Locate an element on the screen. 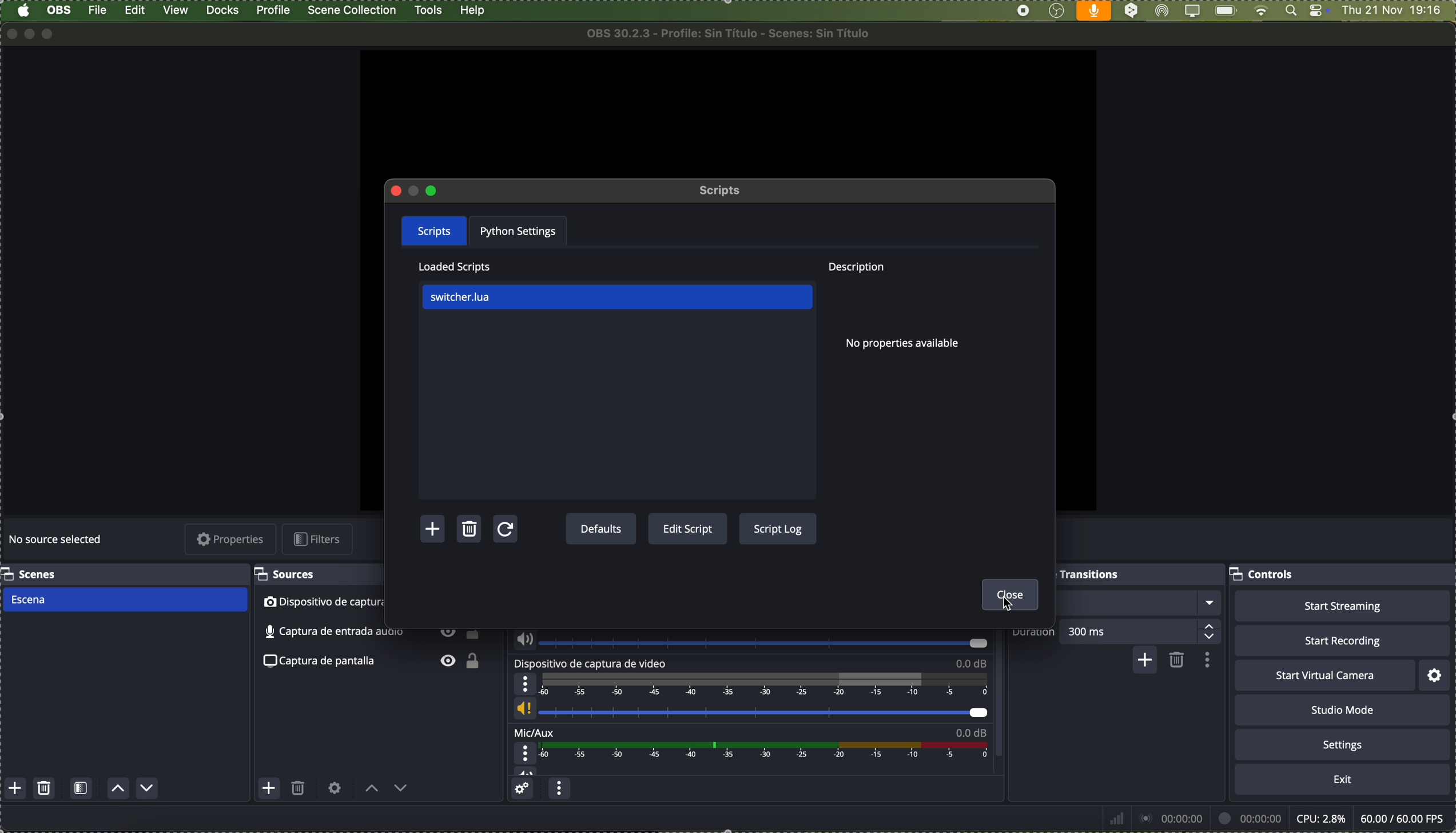 The width and height of the screenshot is (1456, 833). 300 ms is located at coordinates (1144, 630).